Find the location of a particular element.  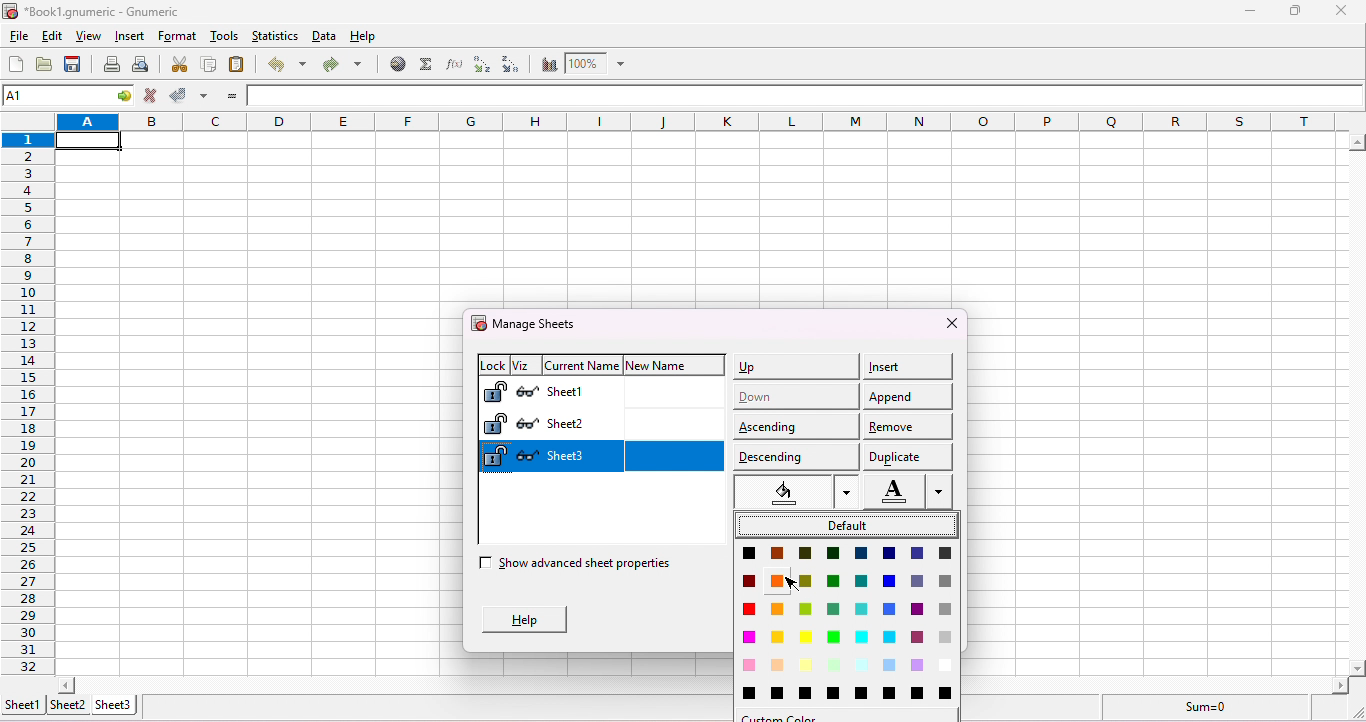

redo is located at coordinates (342, 61).